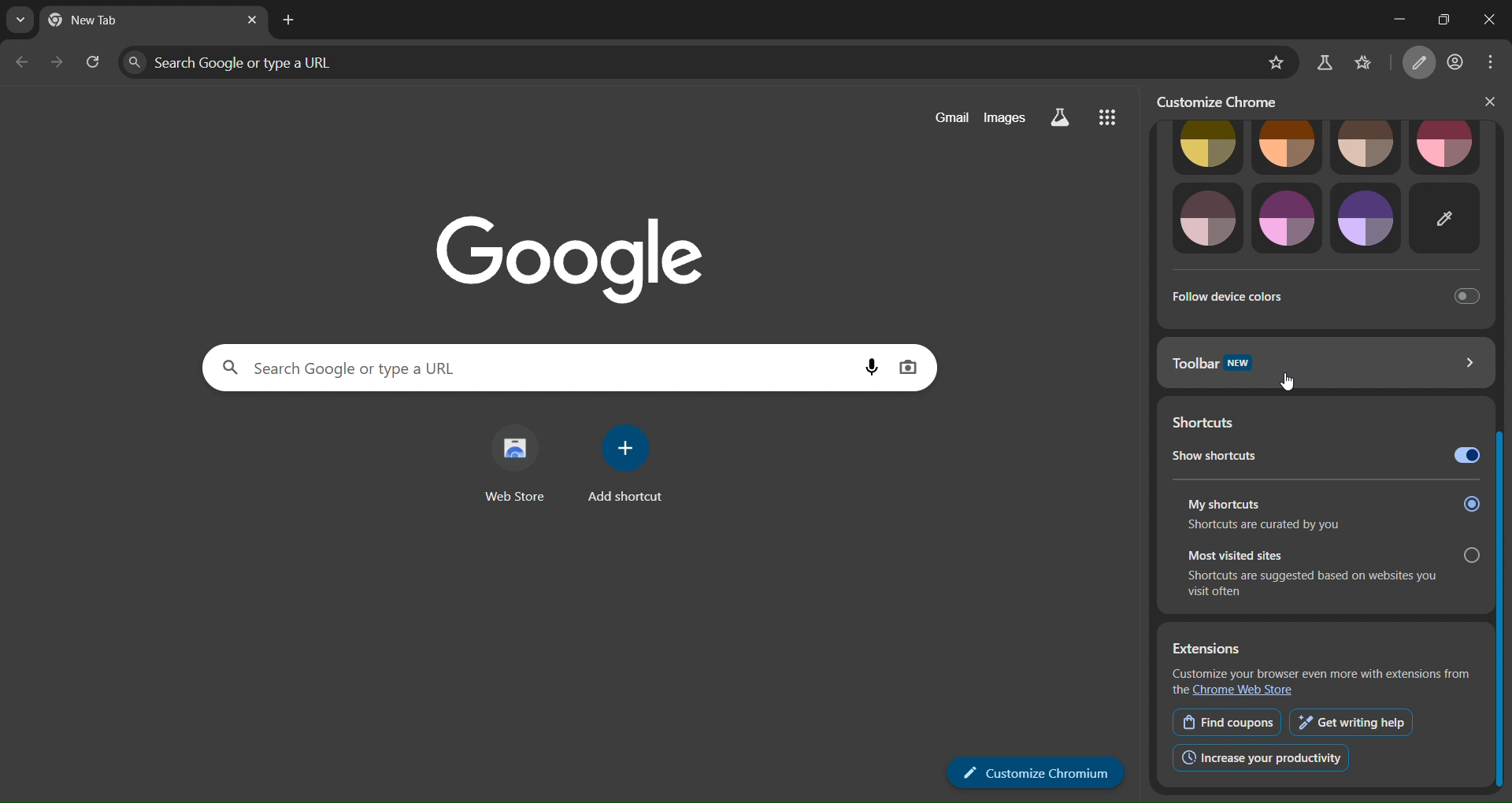 This screenshot has height=803, width=1512. I want to click on close tab, so click(254, 20).